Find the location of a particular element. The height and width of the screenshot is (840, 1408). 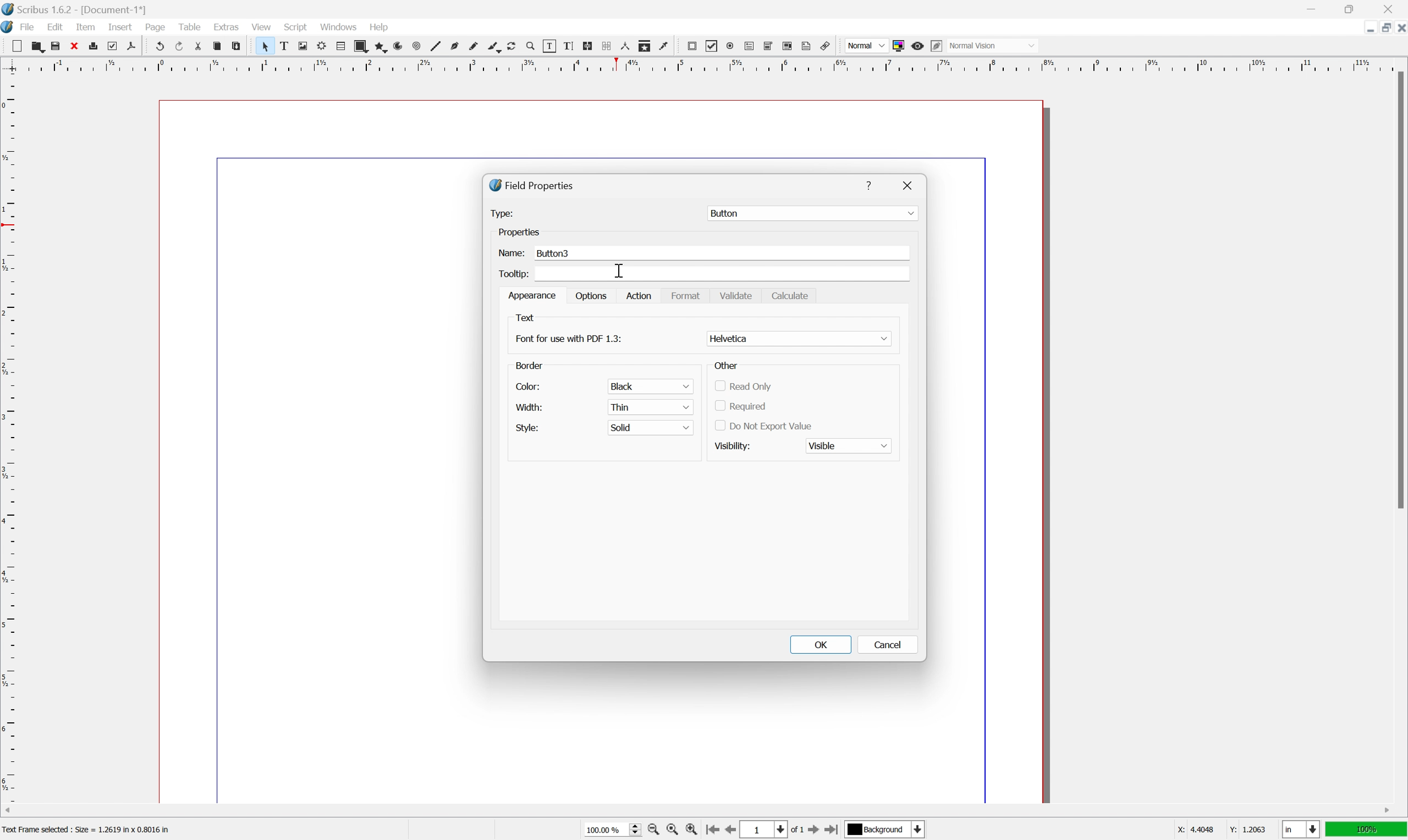

paste is located at coordinates (237, 46).